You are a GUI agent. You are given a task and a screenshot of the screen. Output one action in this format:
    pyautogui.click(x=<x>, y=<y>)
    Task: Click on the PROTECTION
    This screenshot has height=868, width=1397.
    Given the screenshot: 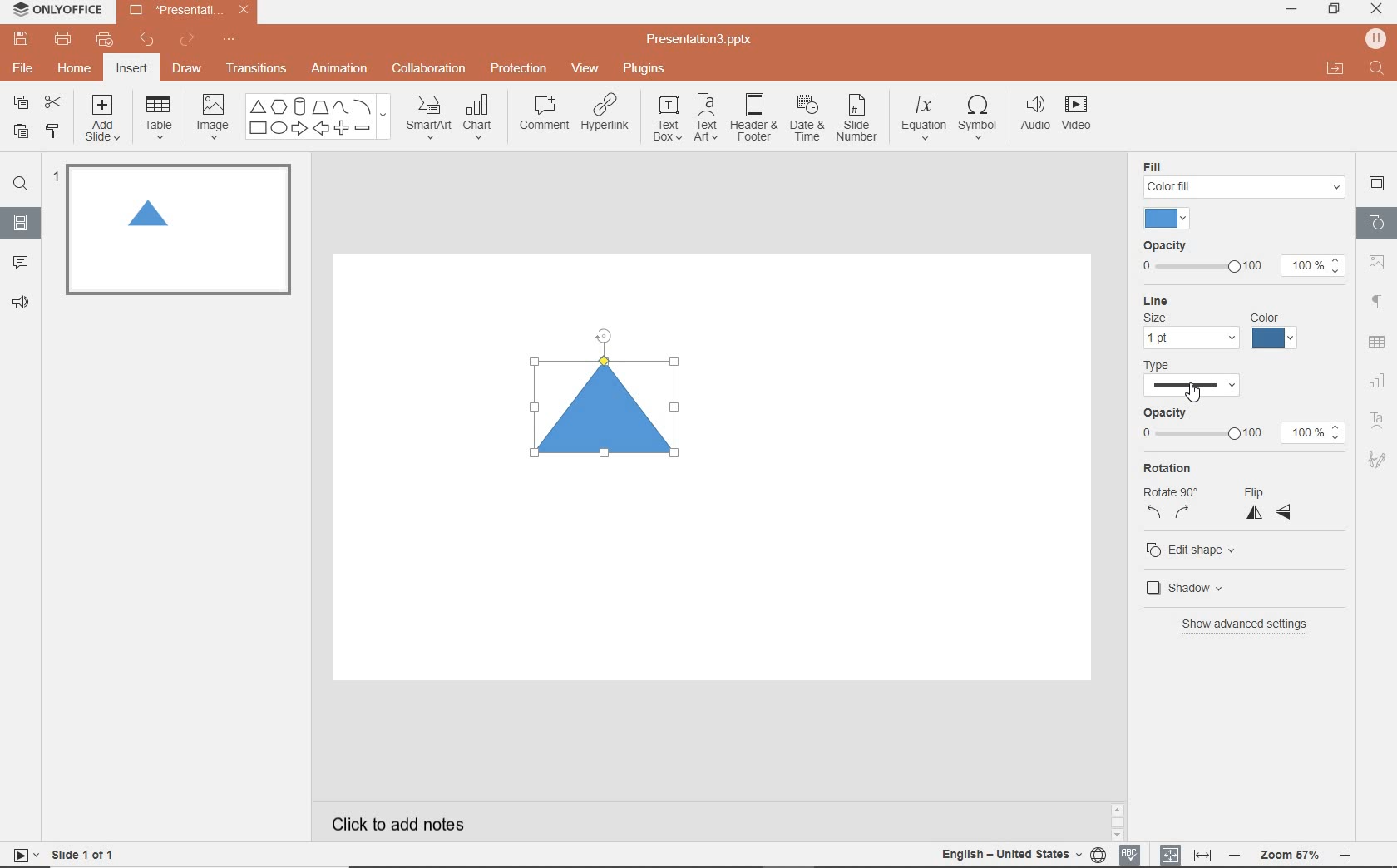 What is the action you would take?
    pyautogui.click(x=520, y=67)
    